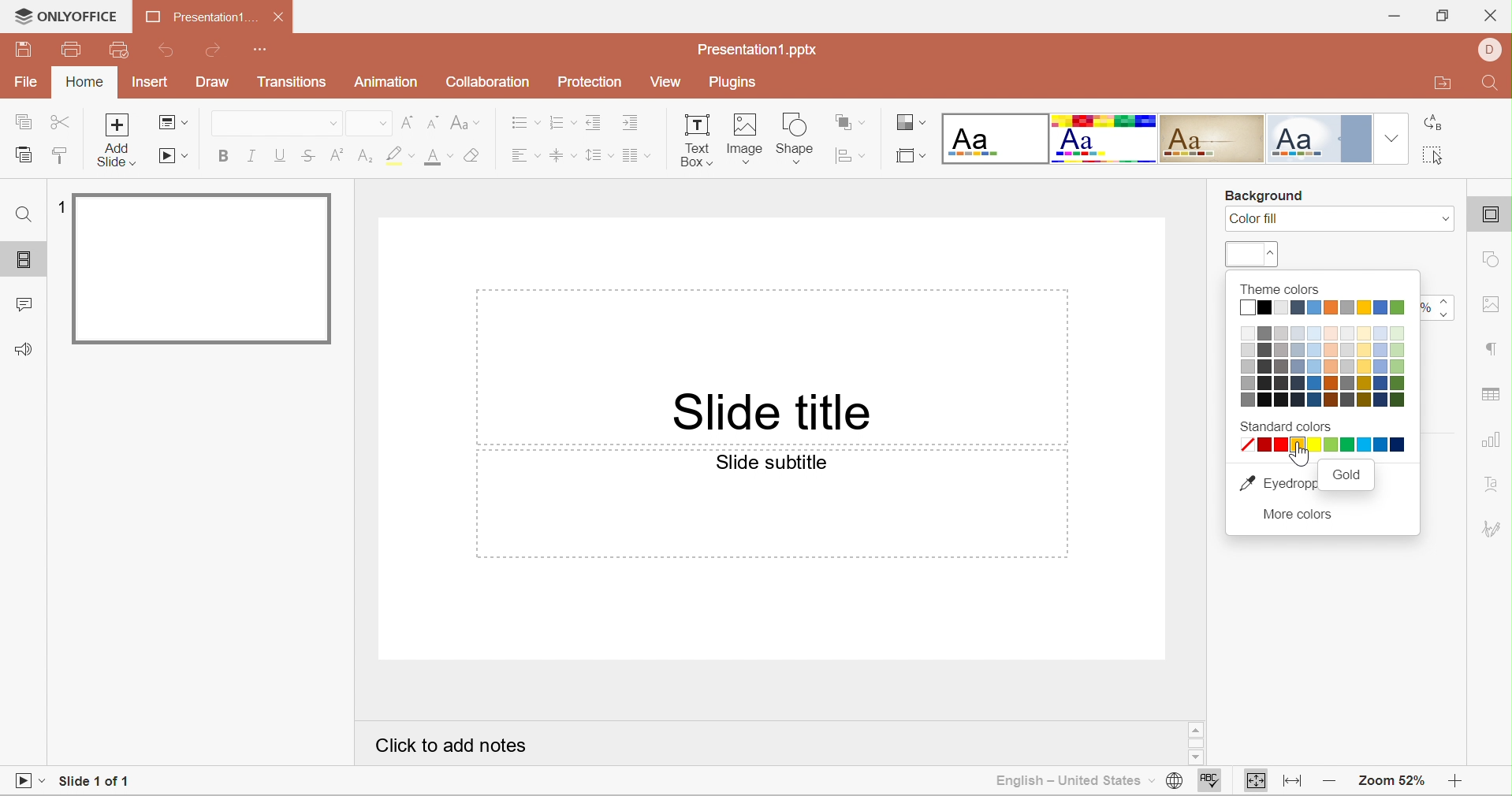 Image resolution: width=1512 pixels, height=796 pixels. I want to click on Signature settings, so click(1494, 527).